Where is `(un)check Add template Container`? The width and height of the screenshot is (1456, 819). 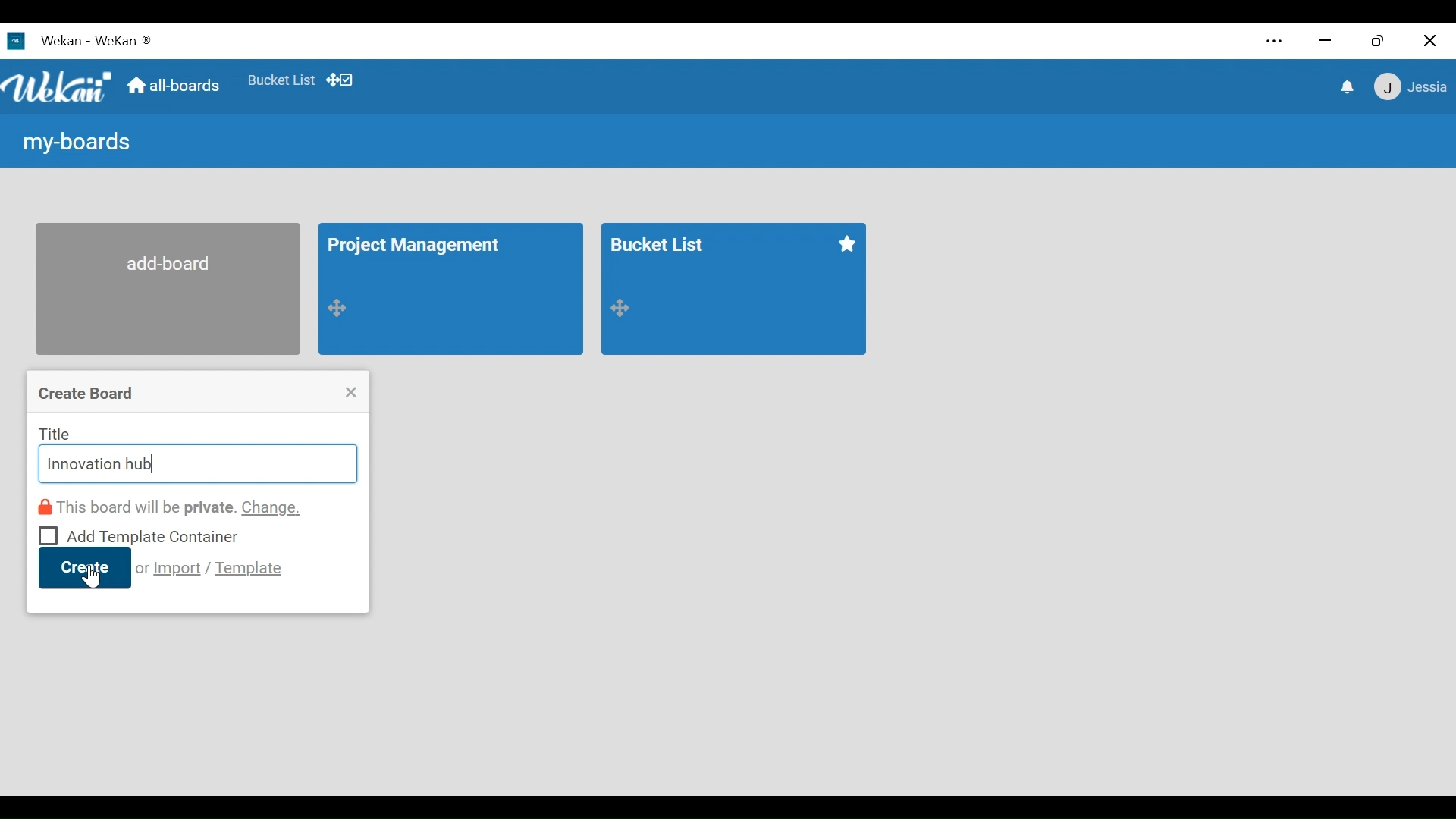
(un)check Add template Container is located at coordinates (140, 534).